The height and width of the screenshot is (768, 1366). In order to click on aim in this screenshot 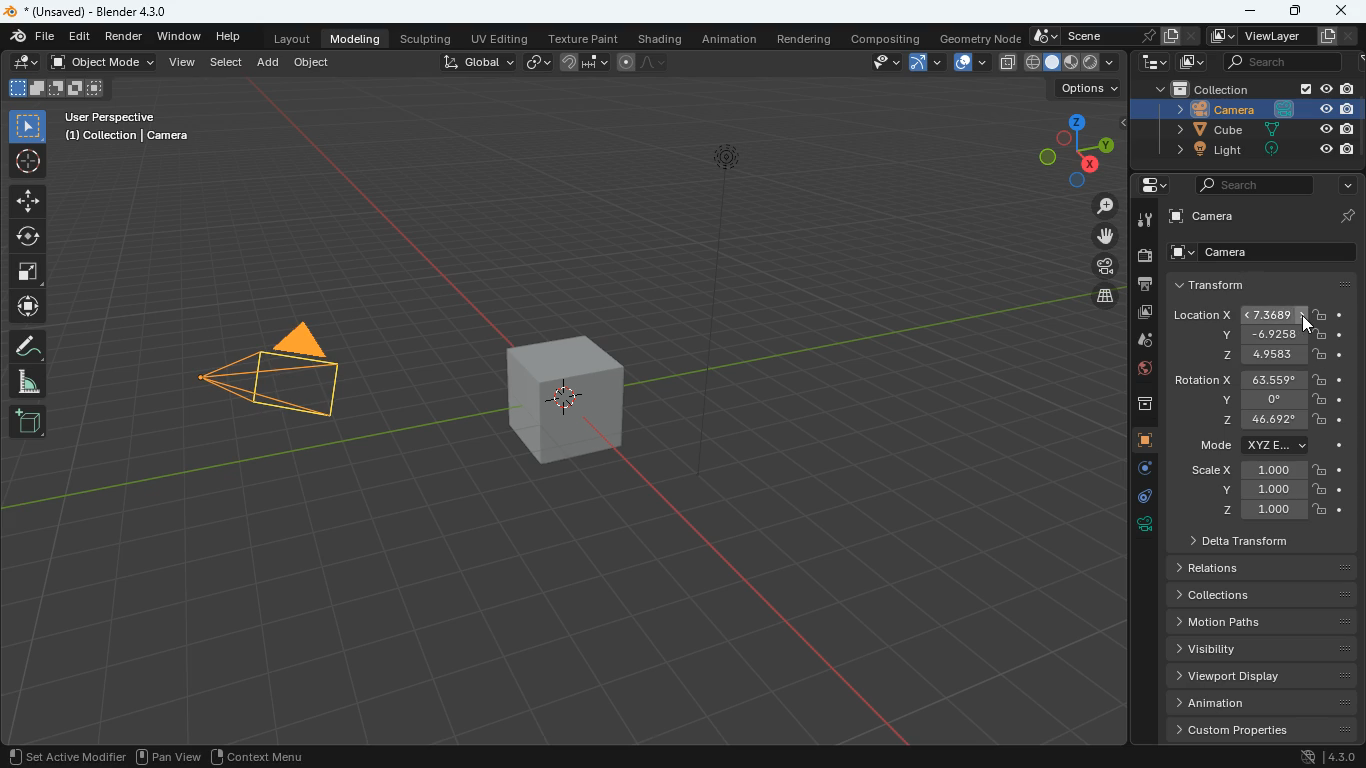, I will do `click(32, 161)`.